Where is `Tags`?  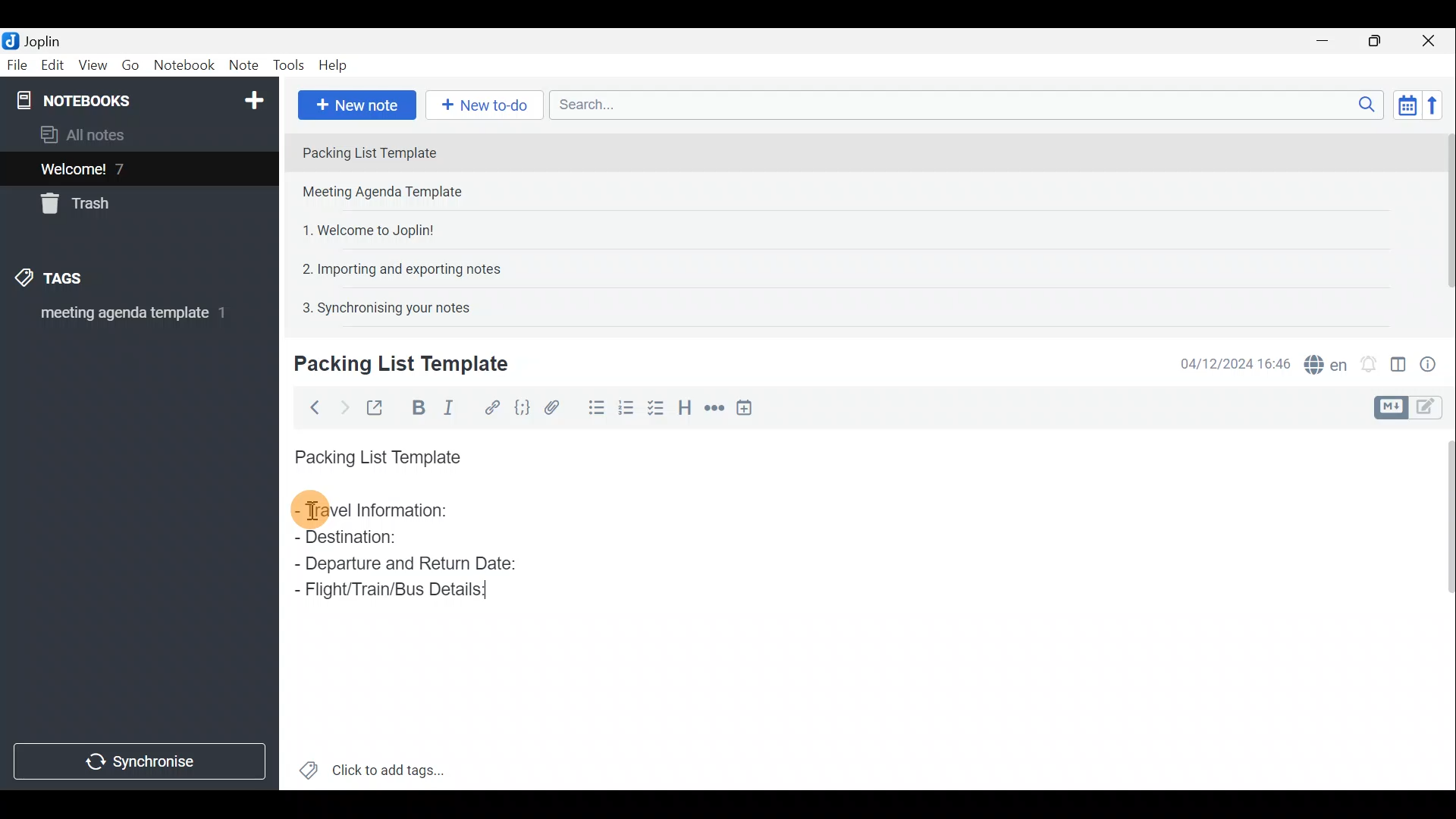 Tags is located at coordinates (74, 281).